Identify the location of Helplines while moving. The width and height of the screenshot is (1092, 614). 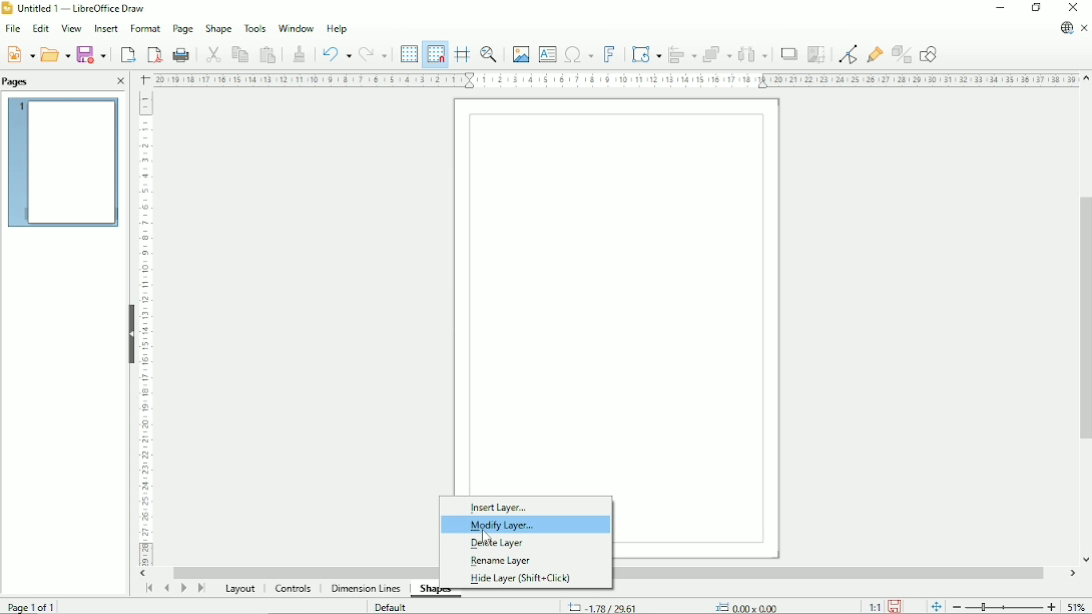
(461, 53).